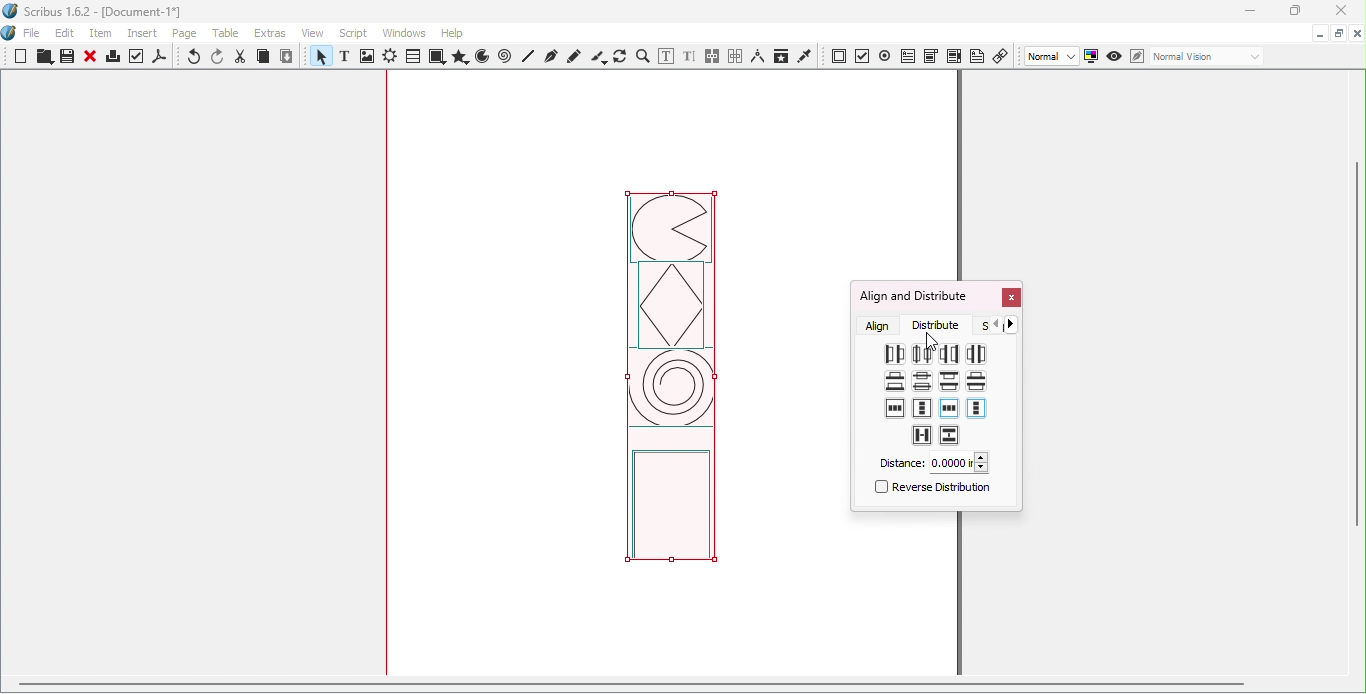 This screenshot has width=1366, height=694. I want to click on New, so click(21, 56).